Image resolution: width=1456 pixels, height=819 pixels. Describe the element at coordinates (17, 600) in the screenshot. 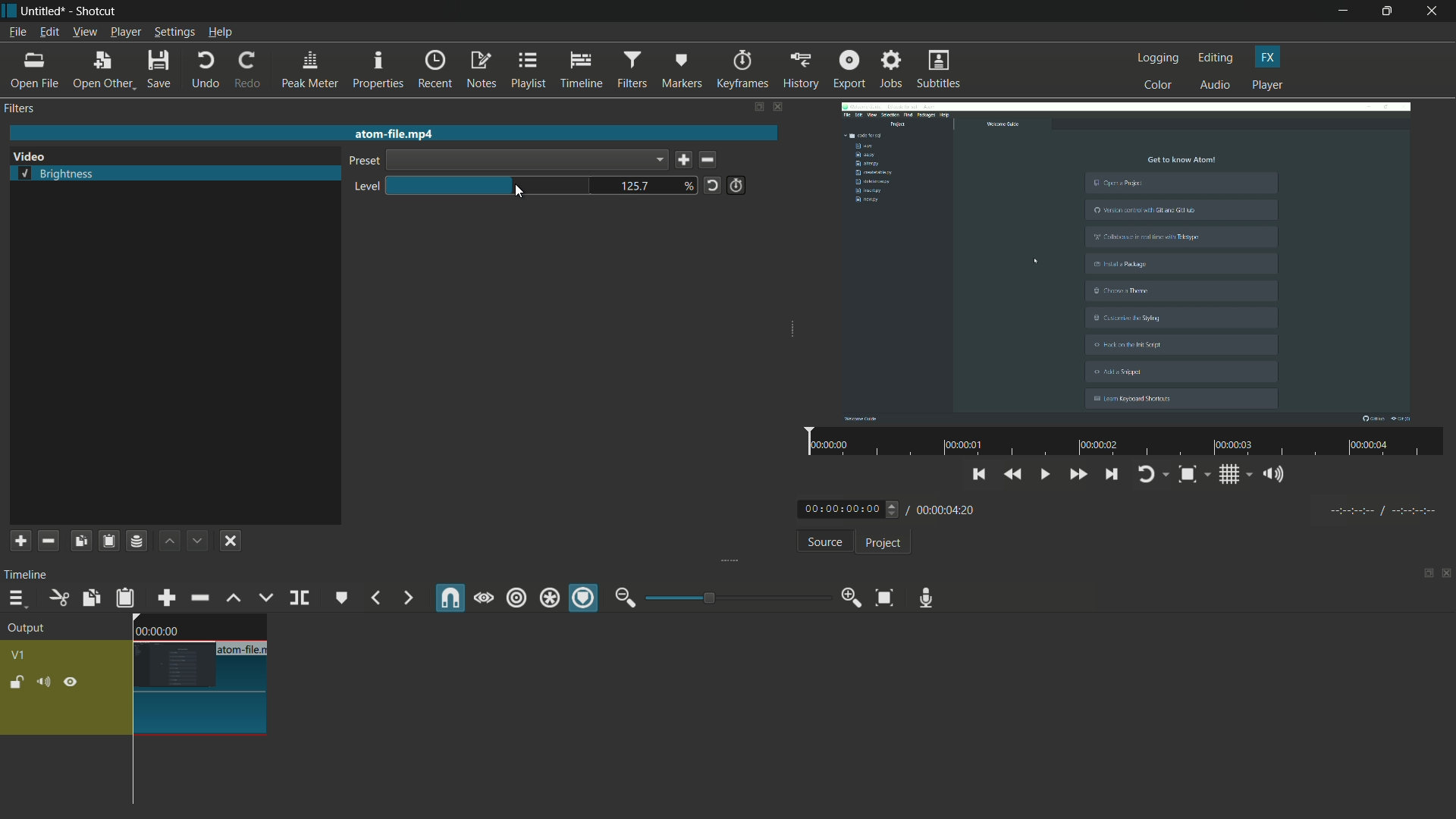

I see `timeline menu` at that location.